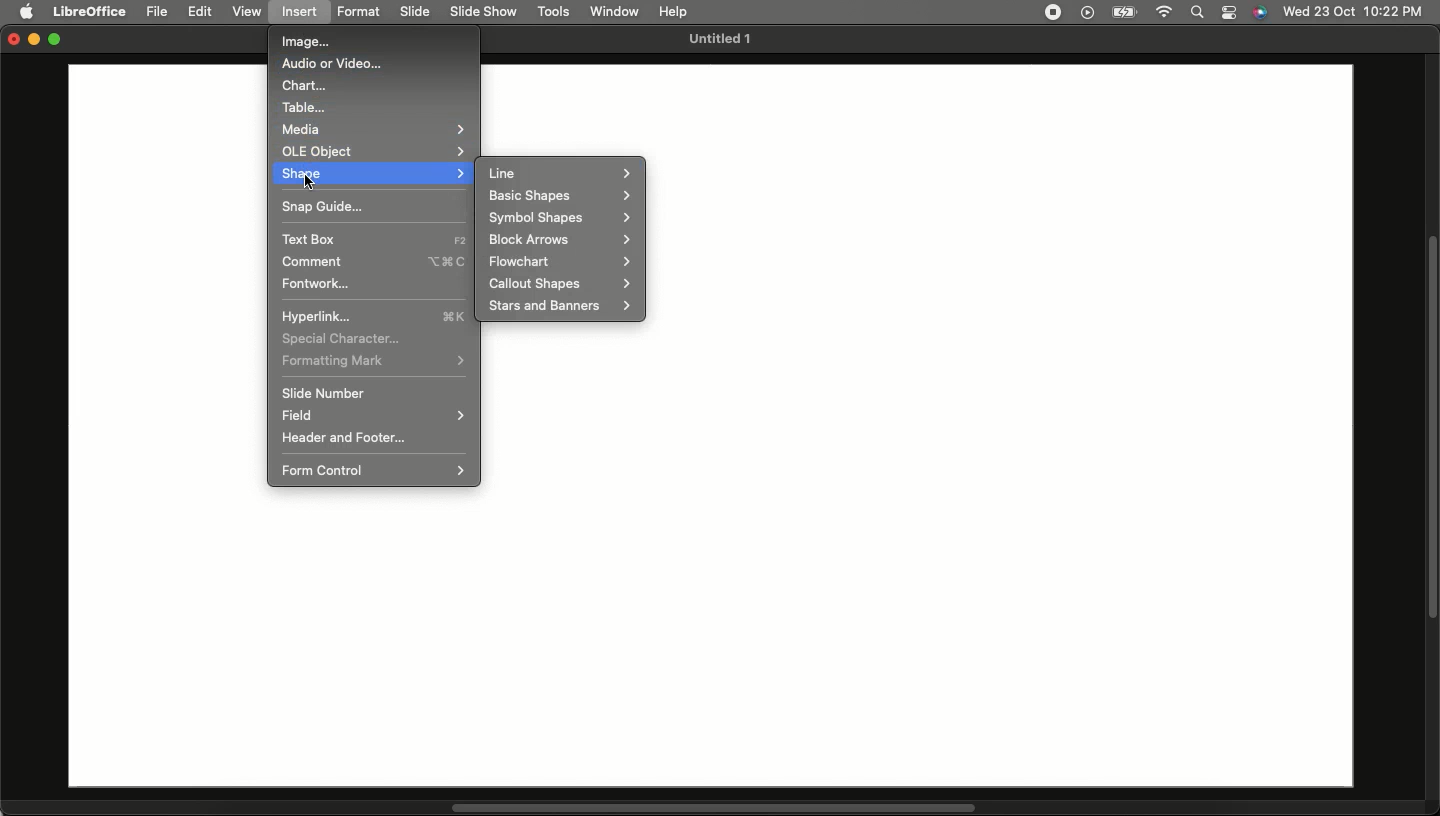 The image size is (1440, 816). I want to click on Internet, so click(1163, 13).